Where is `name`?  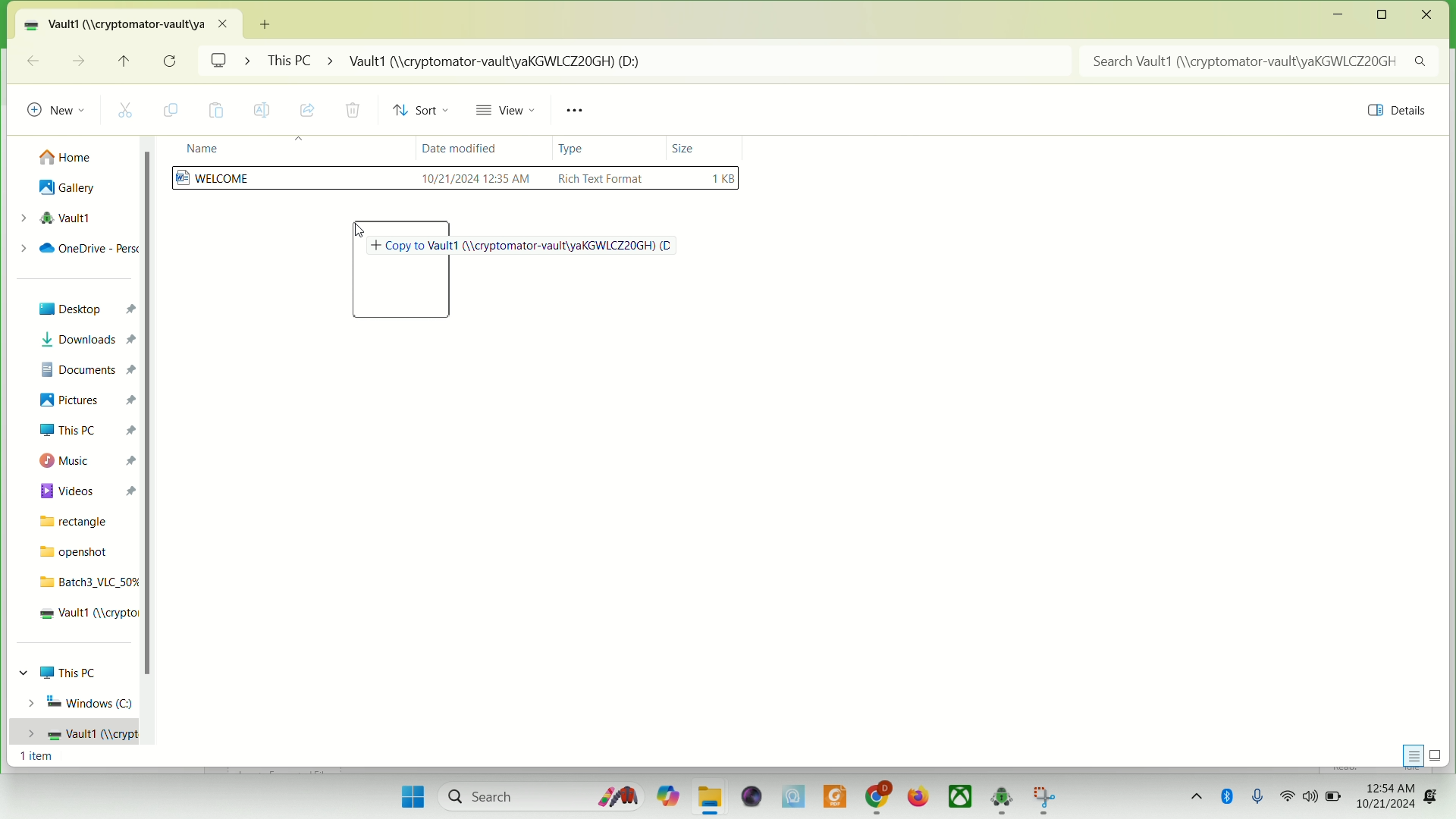
name is located at coordinates (198, 149).